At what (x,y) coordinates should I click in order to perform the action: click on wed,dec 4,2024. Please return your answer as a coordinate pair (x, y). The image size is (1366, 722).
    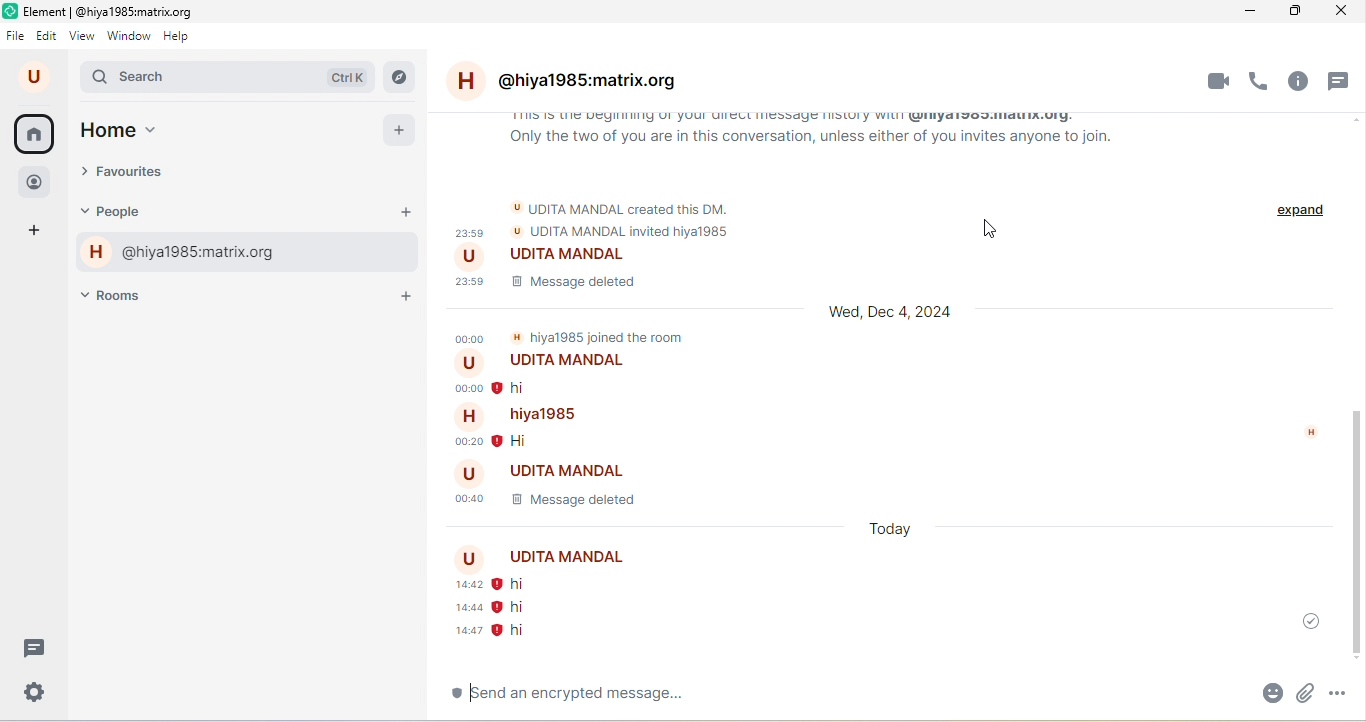
    Looking at the image, I should click on (894, 314).